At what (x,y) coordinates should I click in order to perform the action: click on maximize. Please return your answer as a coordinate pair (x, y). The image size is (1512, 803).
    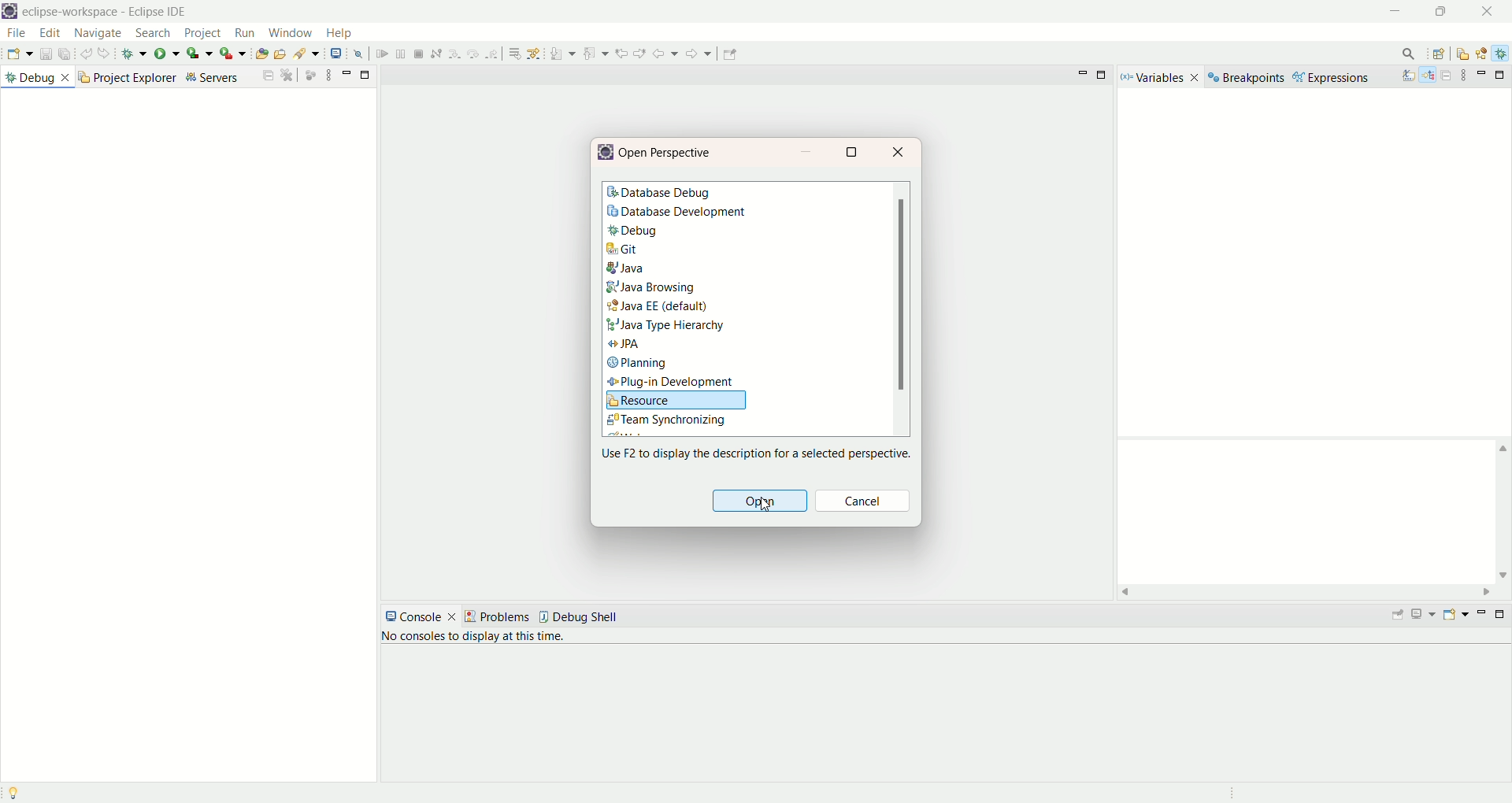
    Looking at the image, I should click on (1503, 76).